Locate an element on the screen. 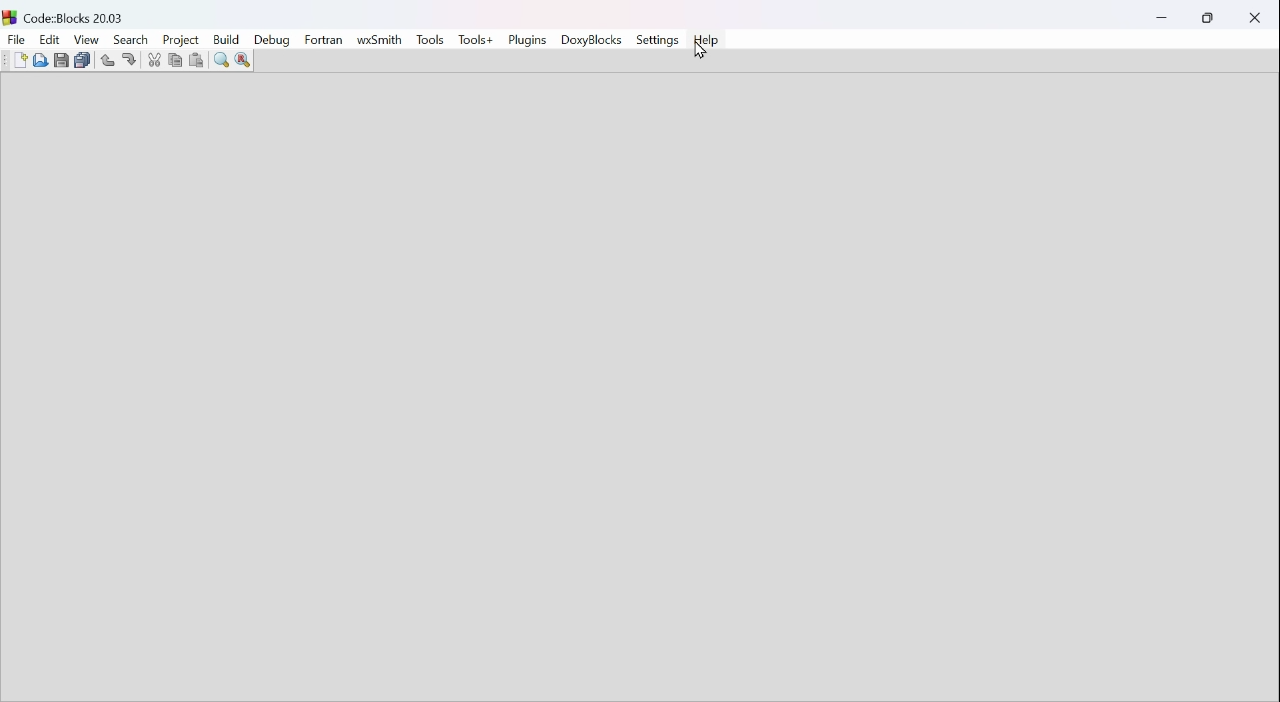  Undo is located at coordinates (106, 59).